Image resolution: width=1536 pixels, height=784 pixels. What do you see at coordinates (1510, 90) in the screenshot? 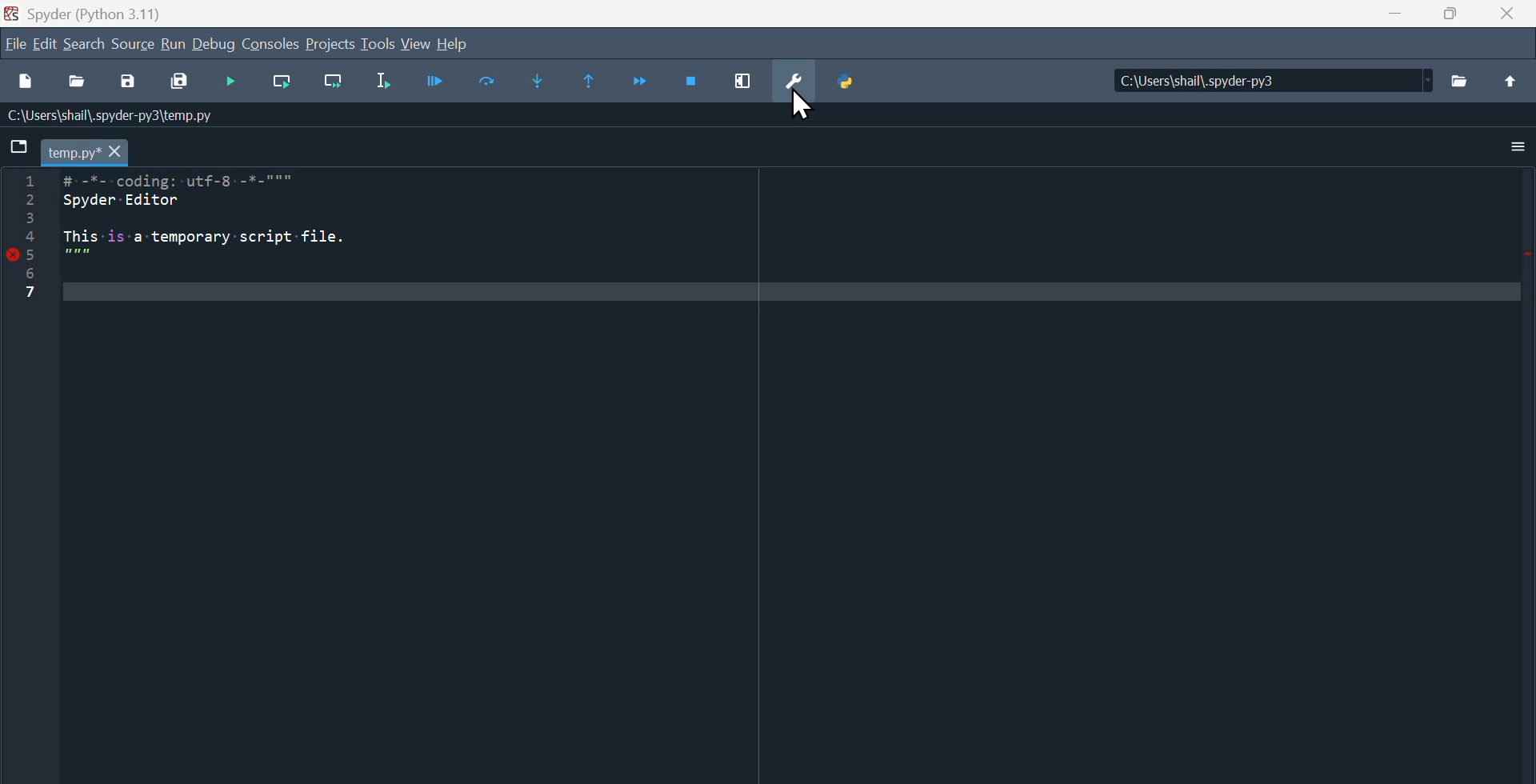
I see `File Upload` at bounding box center [1510, 90].